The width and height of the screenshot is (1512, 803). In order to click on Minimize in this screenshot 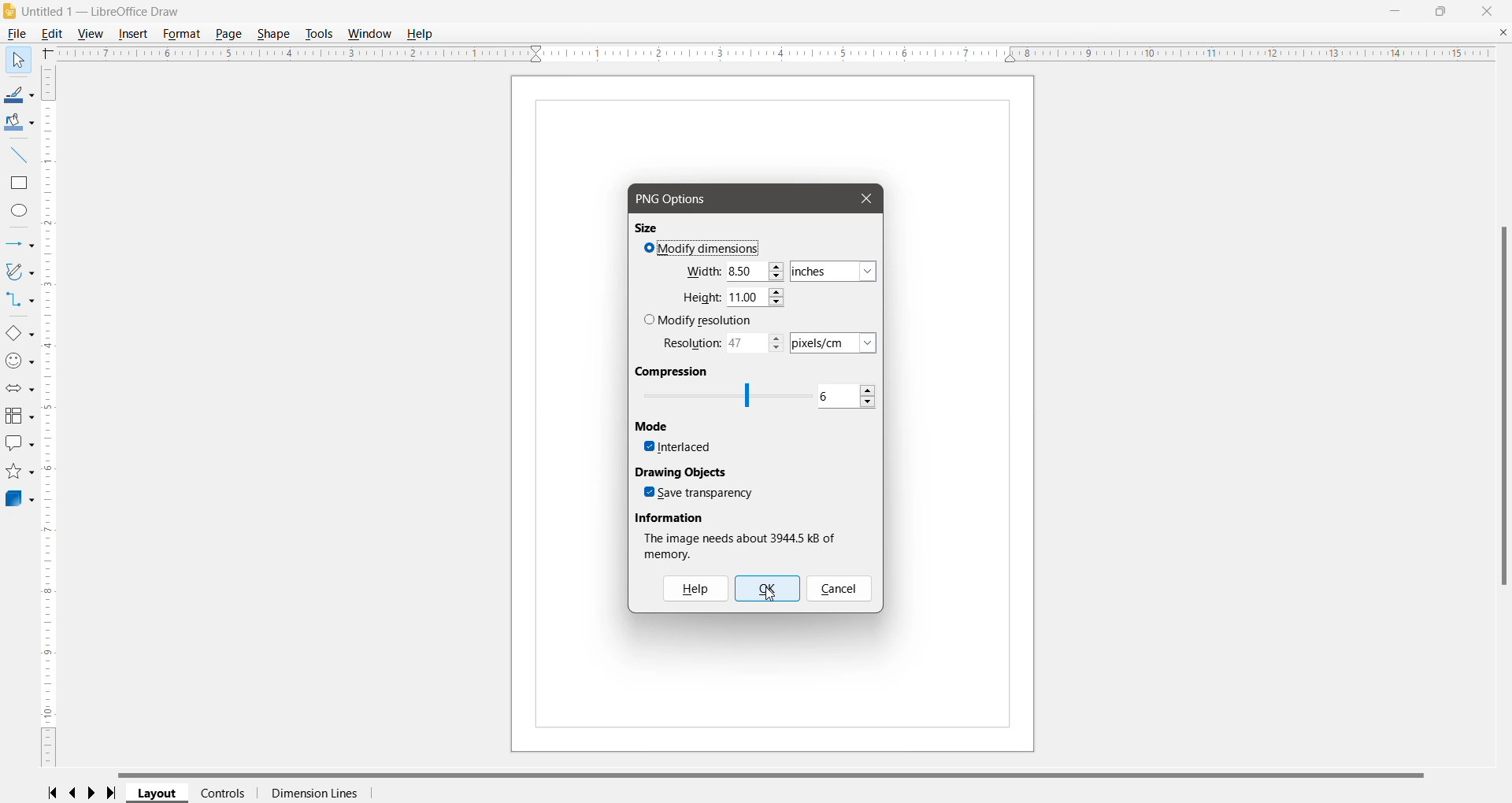, I will do `click(1395, 9)`.